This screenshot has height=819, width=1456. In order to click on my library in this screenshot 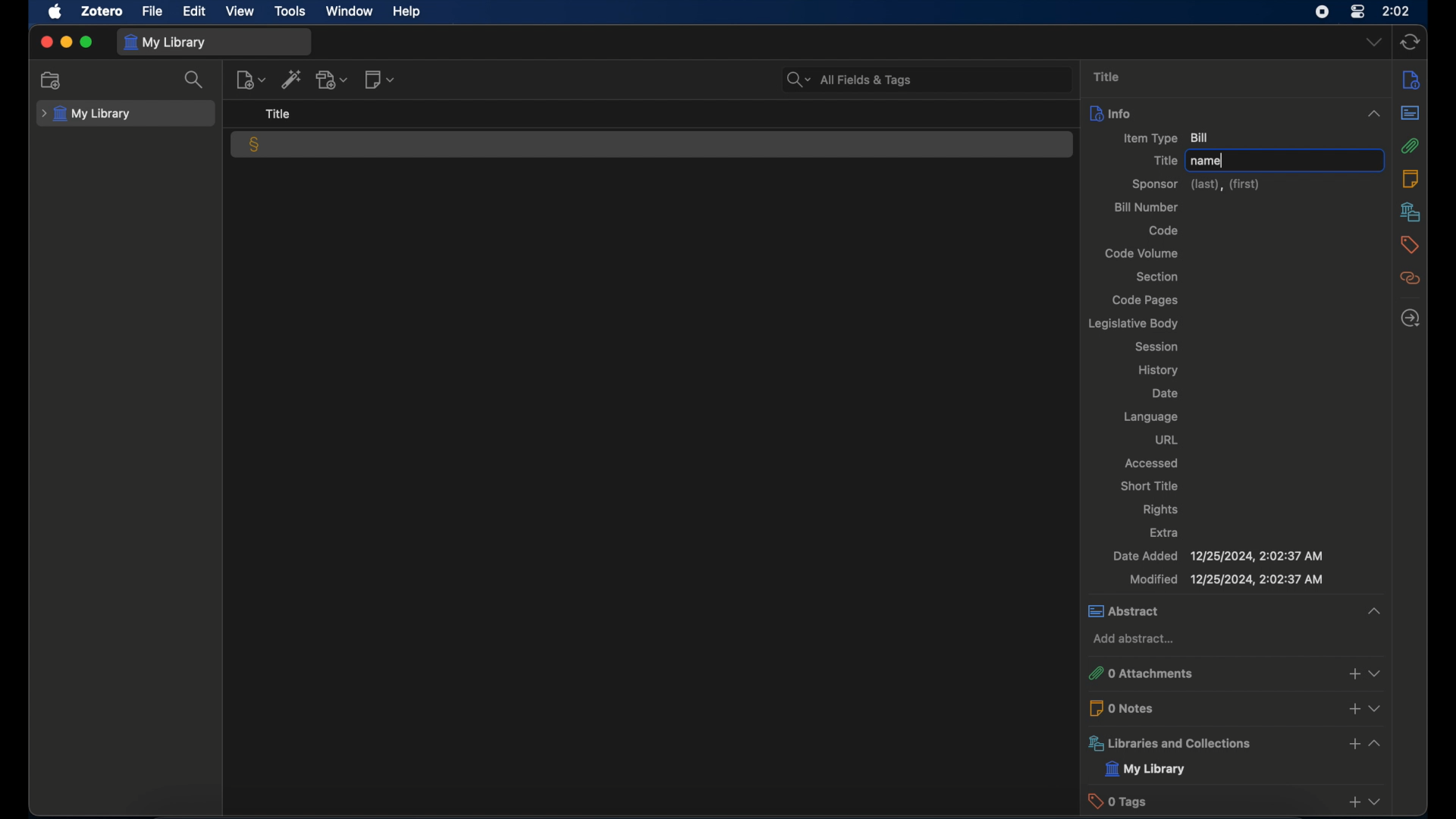, I will do `click(1146, 770)`.